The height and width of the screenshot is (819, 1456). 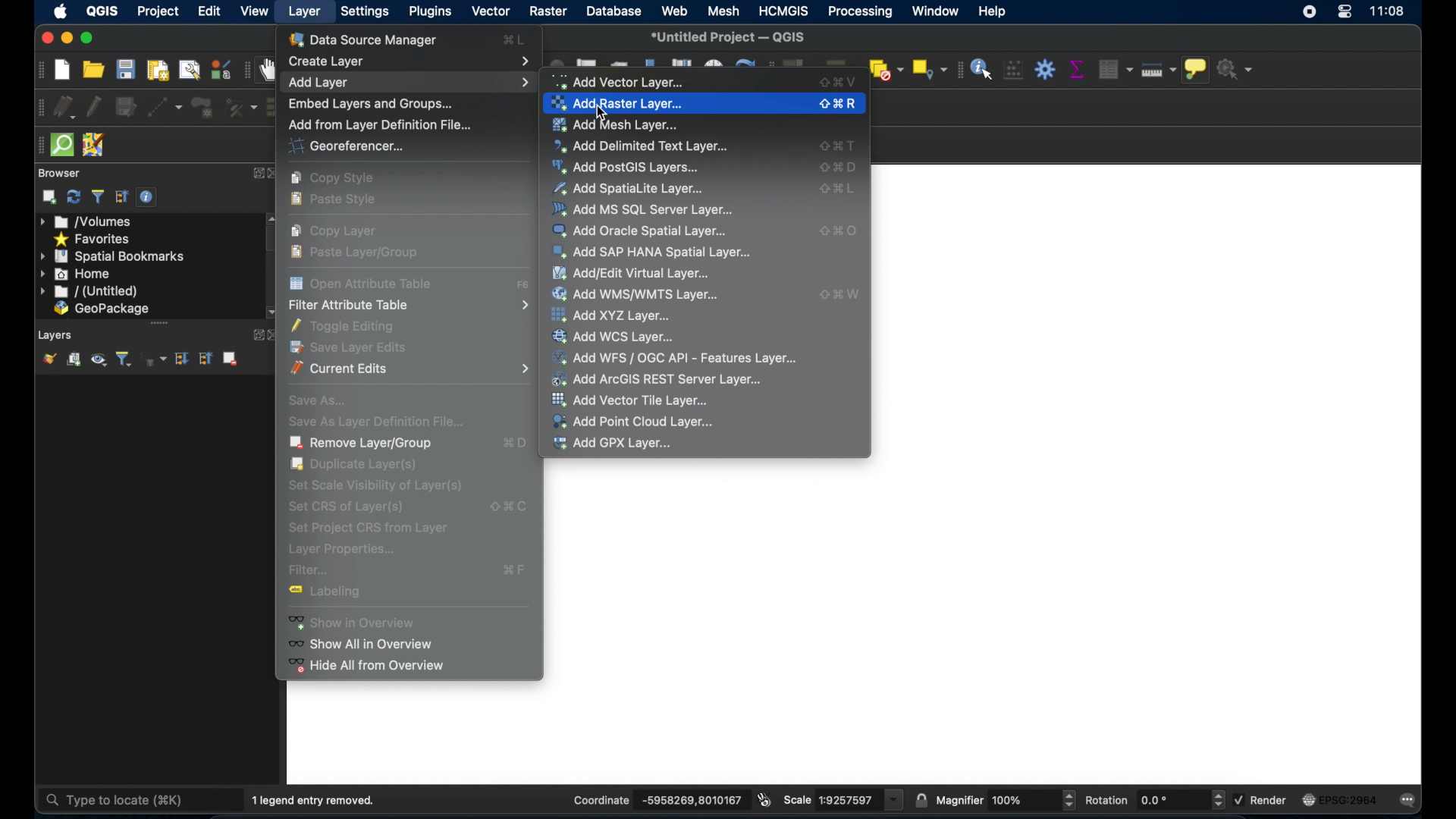 What do you see at coordinates (1217, 800) in the screenshot?
I see `Increase or decrease` at bounding box center [1217, 800].